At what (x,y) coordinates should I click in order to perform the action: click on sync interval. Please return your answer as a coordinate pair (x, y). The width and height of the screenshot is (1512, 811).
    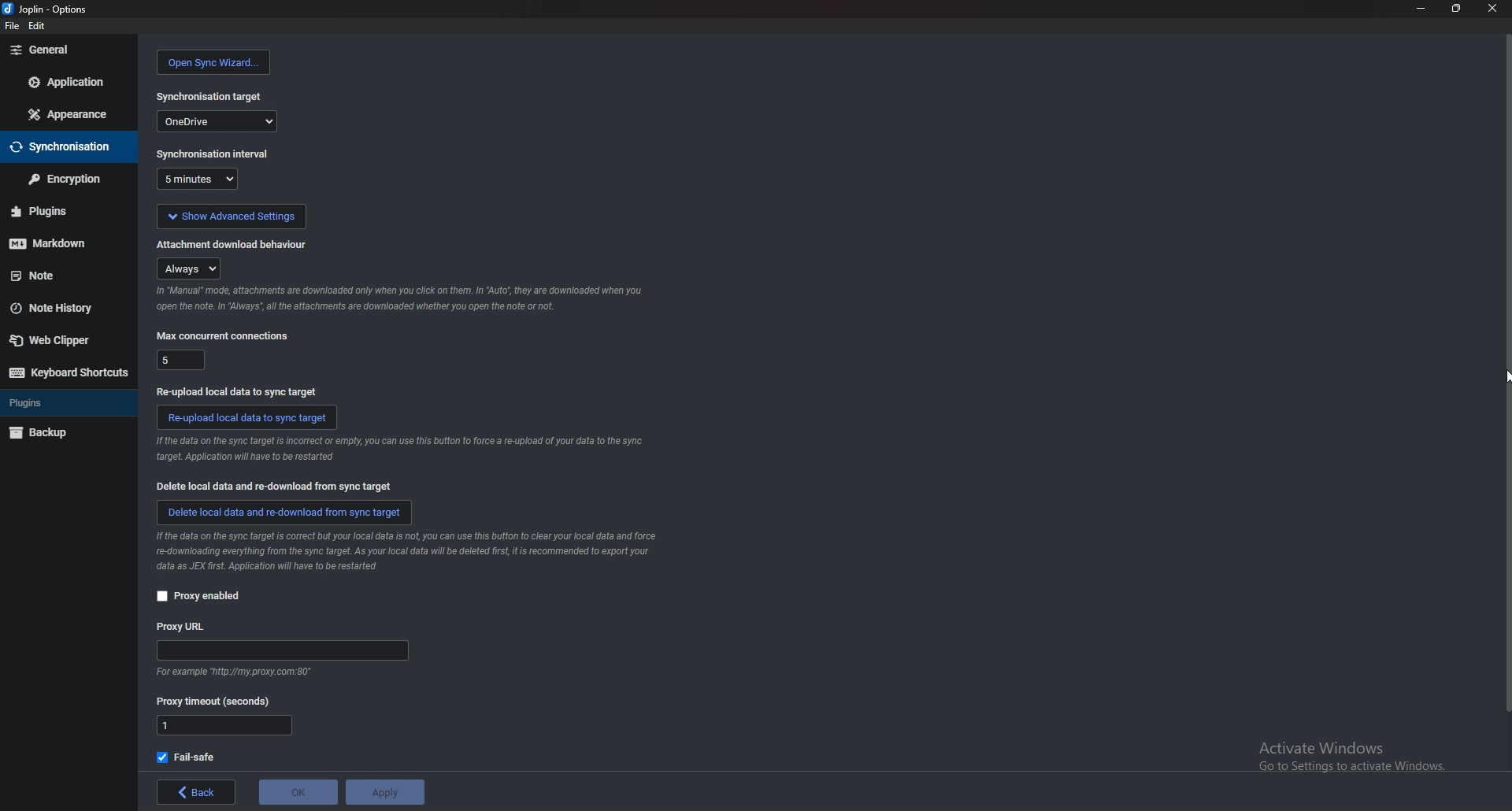
    Looking at the image, I should click on (197, 180).